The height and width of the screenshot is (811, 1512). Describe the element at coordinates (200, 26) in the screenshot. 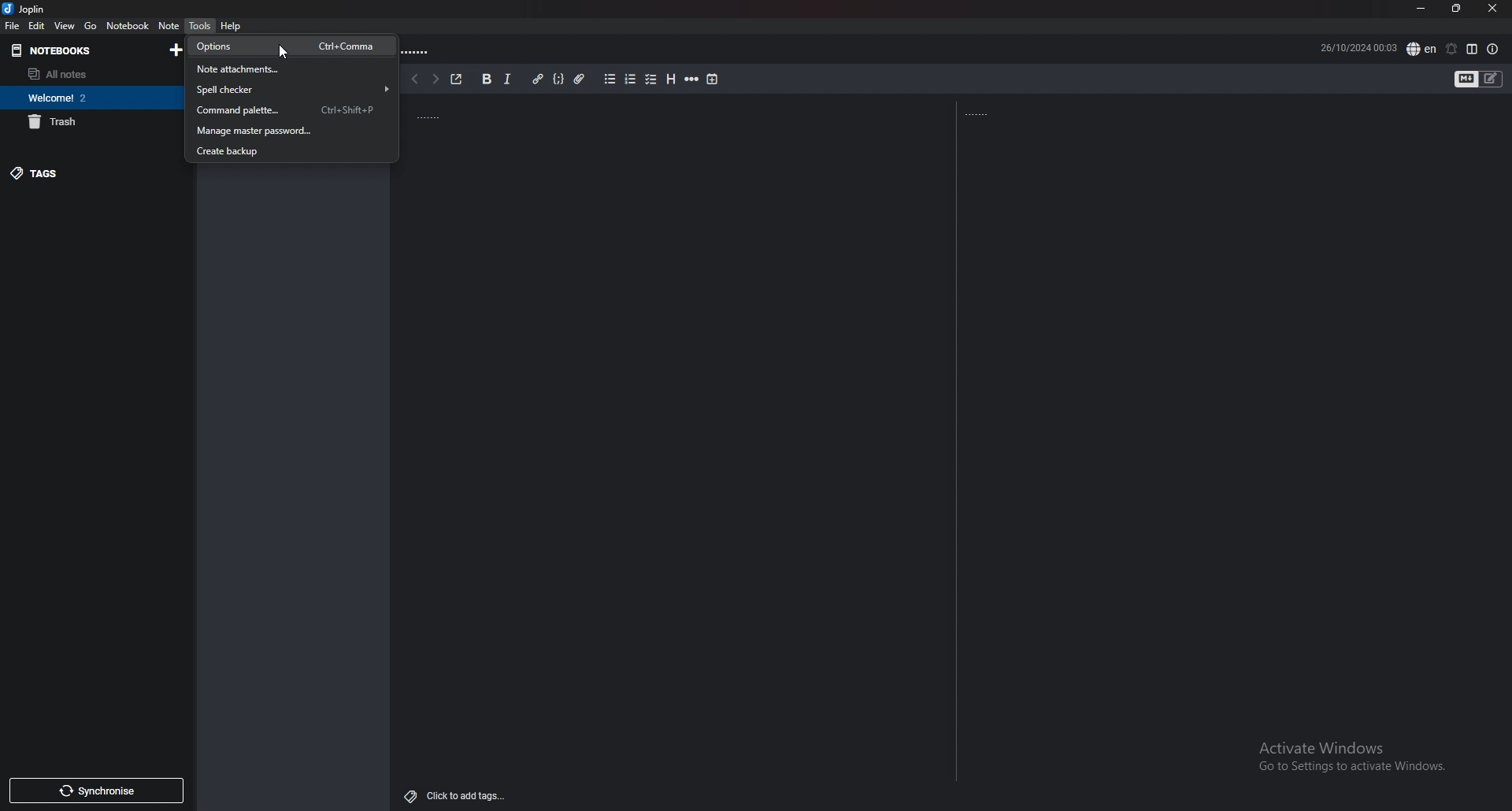

I see `tools` at that location.